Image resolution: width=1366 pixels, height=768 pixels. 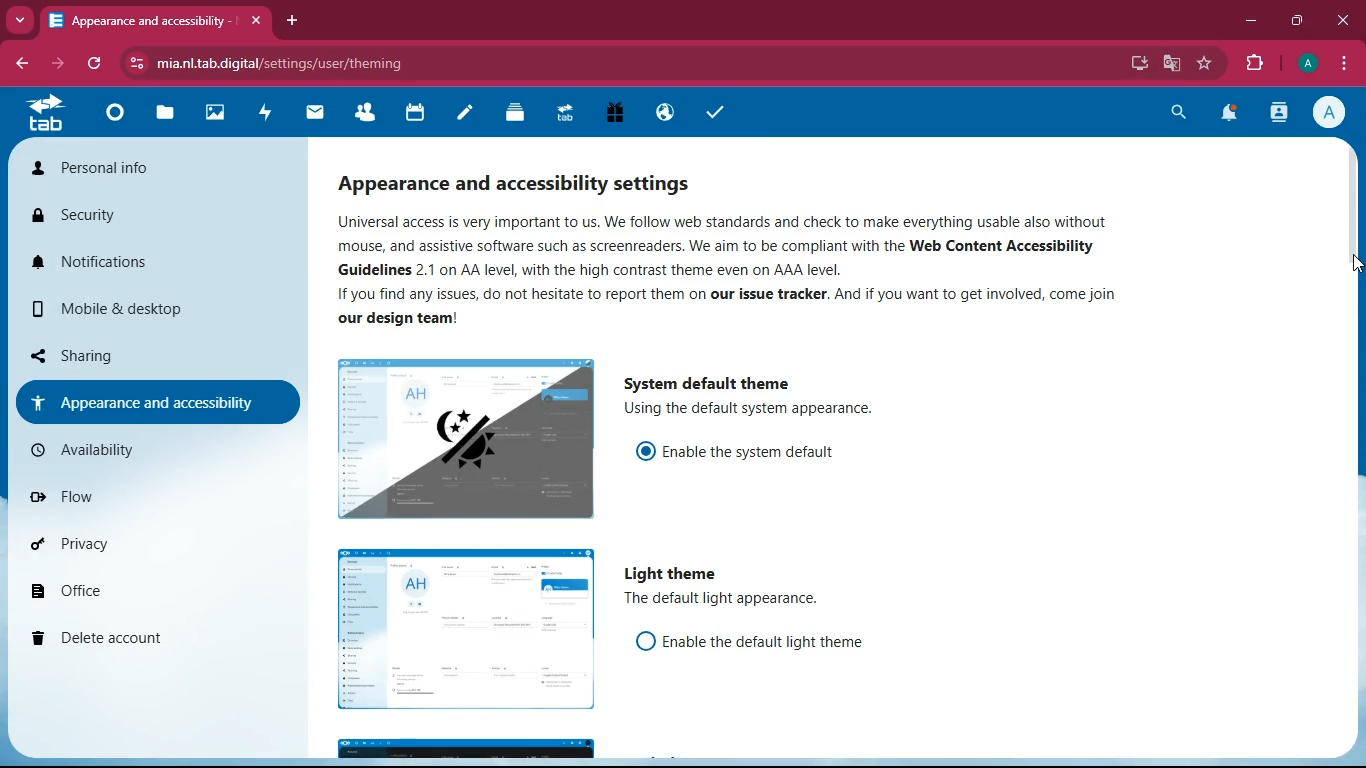 I want to click on image, so click(x=464, y=439).